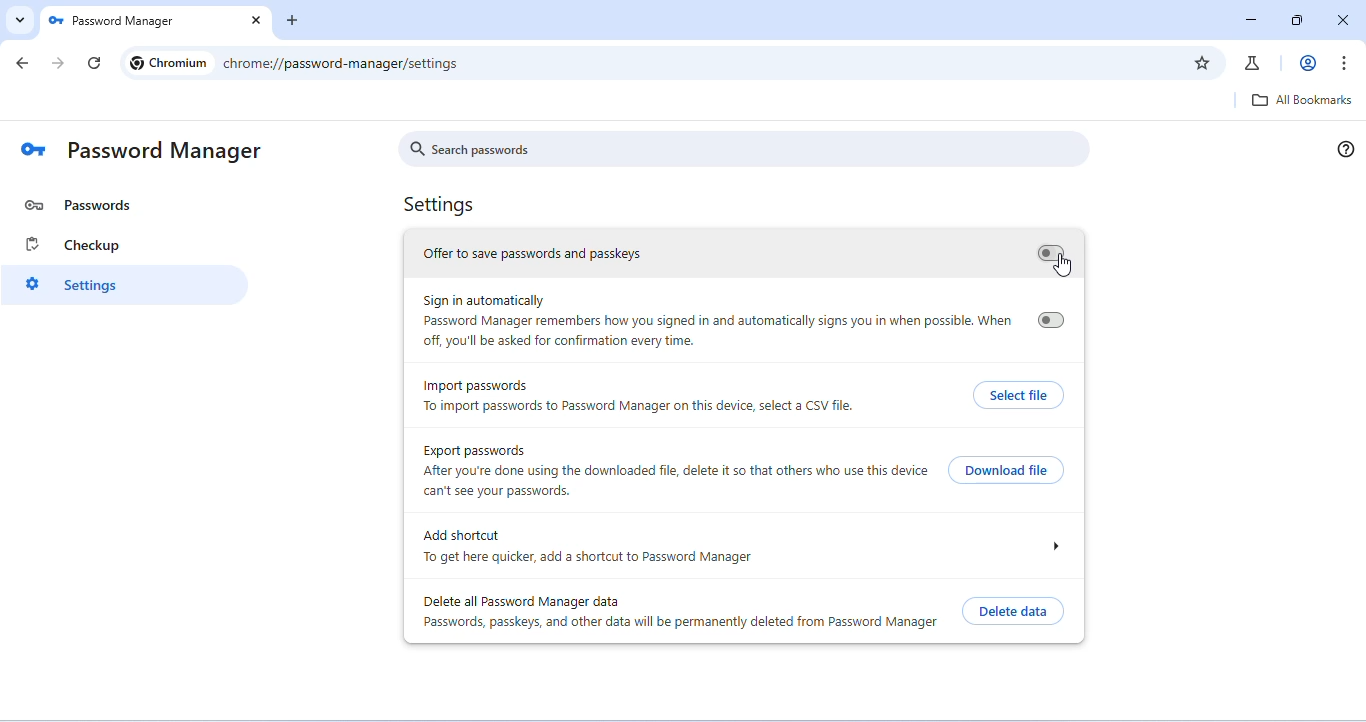  What do you see at coordinates (1009, 469) in the screenshot?
I see `download file` at bounding box center [1009, 469].